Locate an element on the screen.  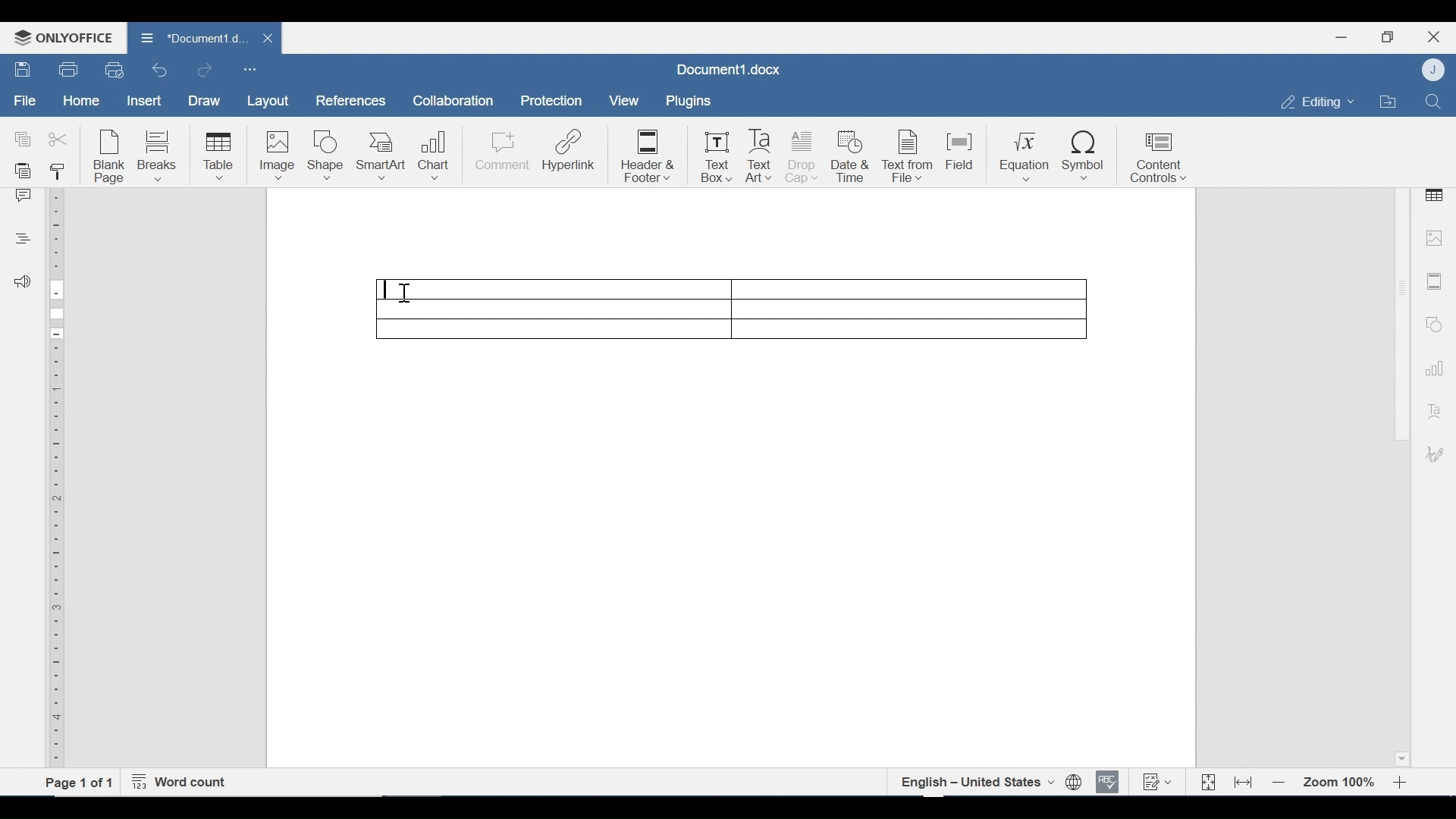
Equation is located at coordinates (1025, 158).